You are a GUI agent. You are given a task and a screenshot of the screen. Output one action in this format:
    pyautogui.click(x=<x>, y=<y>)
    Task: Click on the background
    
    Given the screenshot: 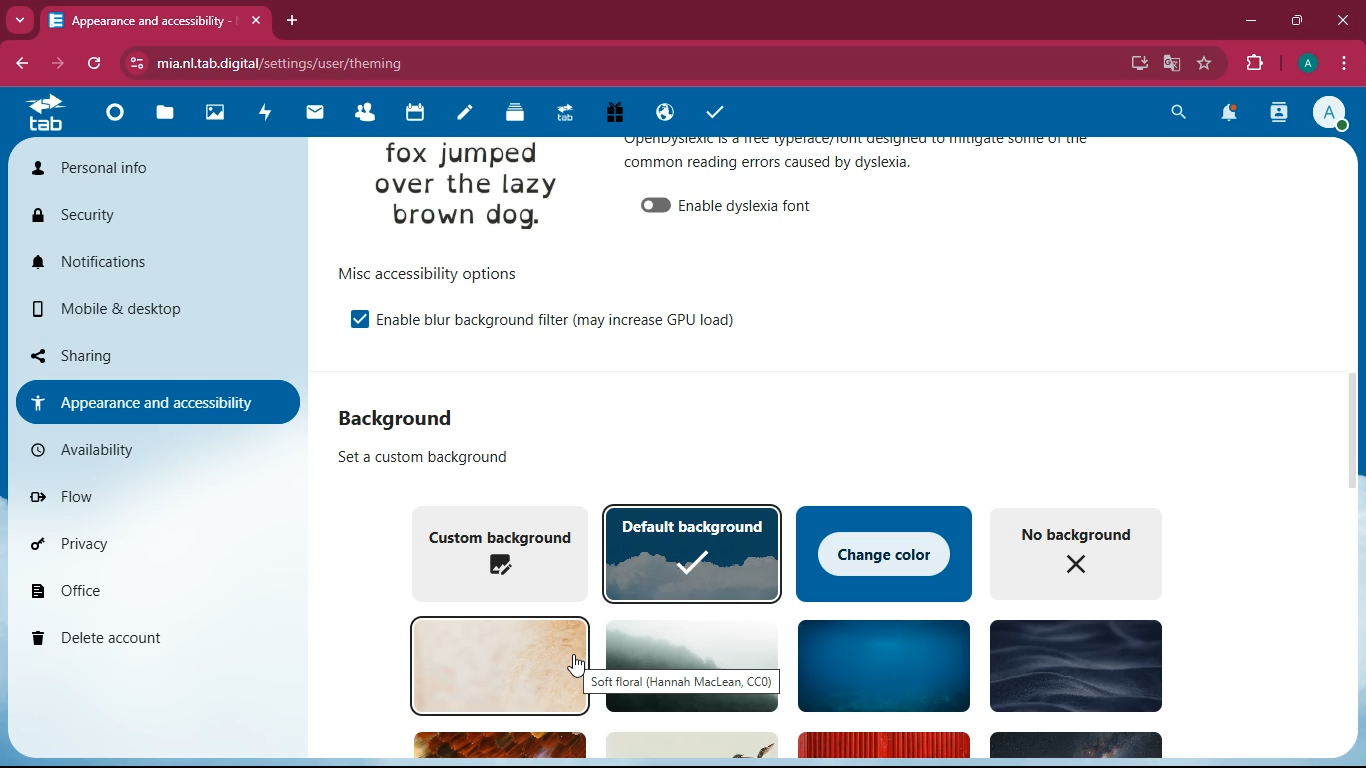 What is the action you would take?
    pyautogui.click(x=406, y=417)
    